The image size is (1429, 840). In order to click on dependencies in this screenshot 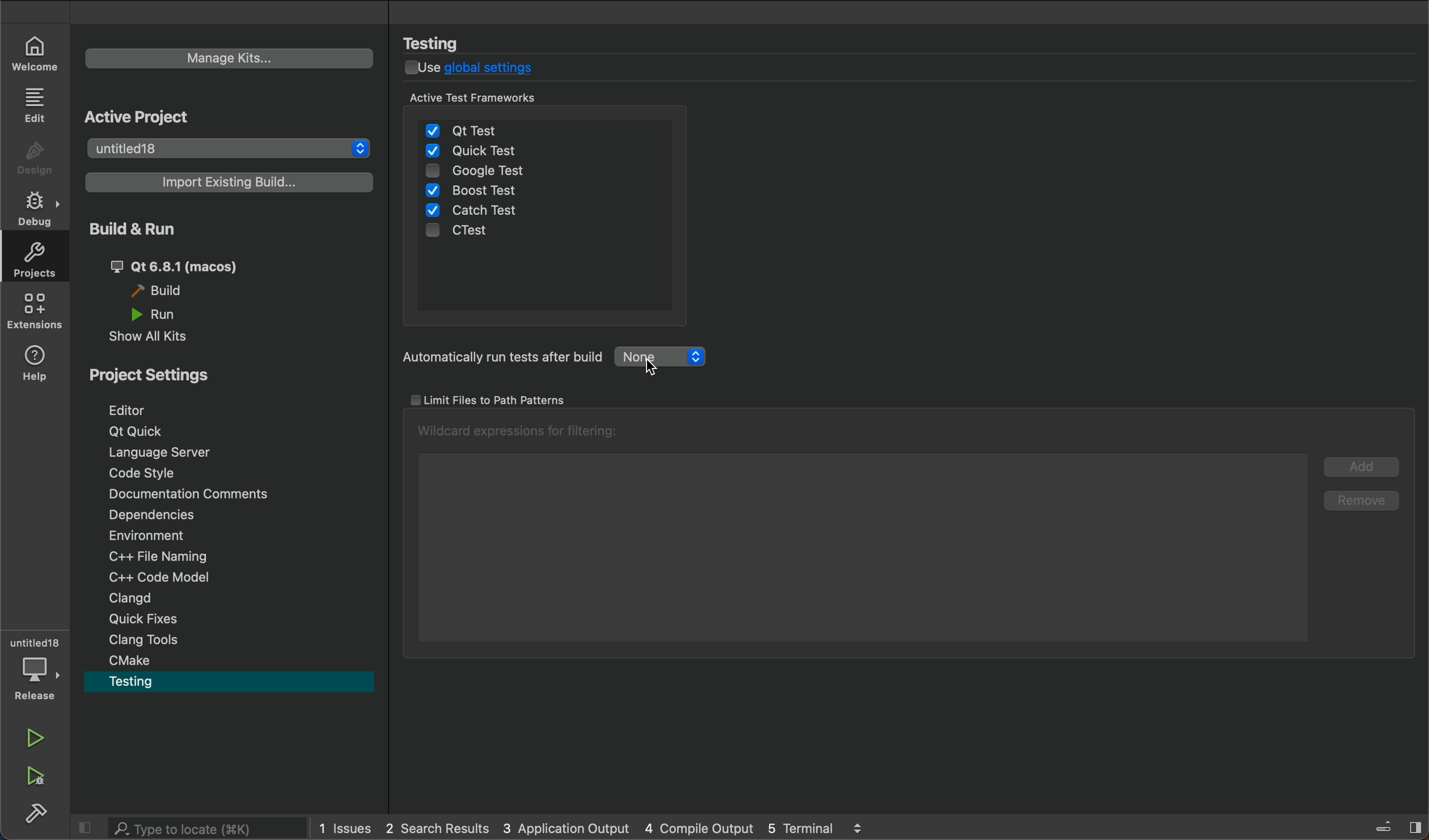, I will do `click(166, 514)`.